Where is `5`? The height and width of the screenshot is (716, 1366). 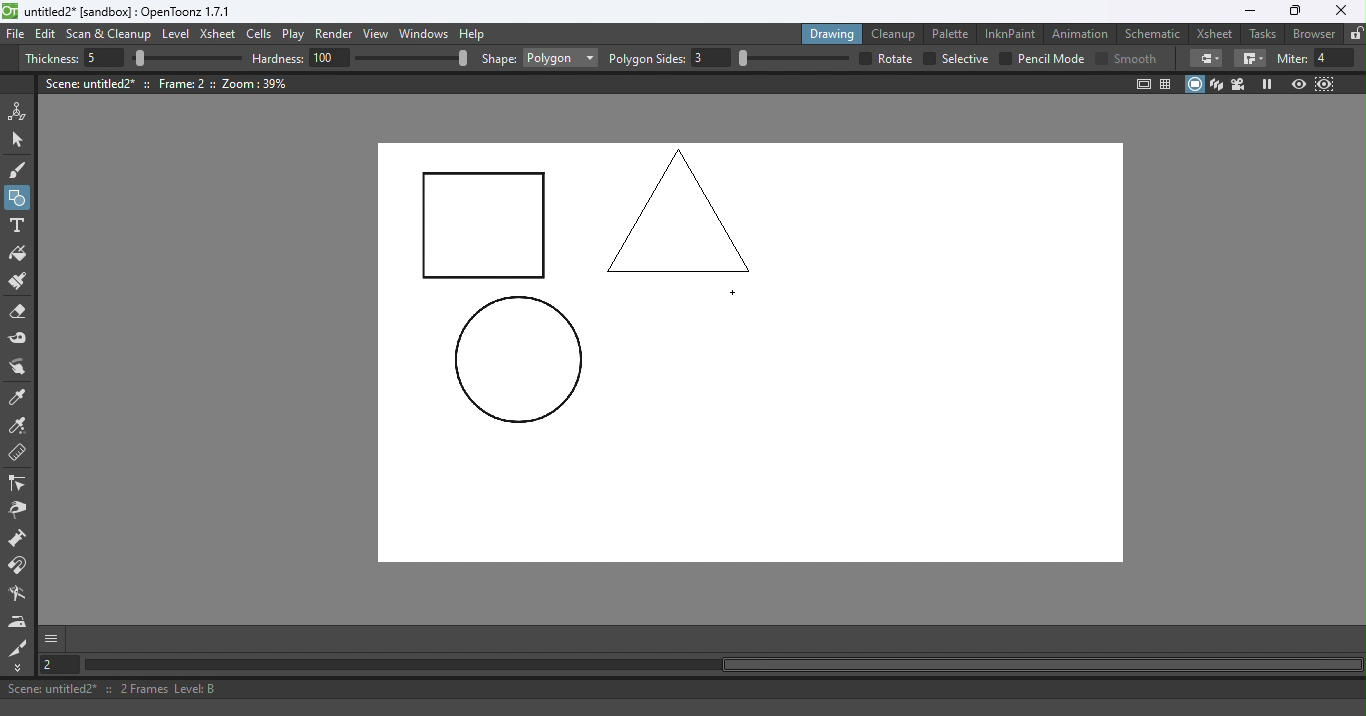
5 is located at coordinates (101, 59).